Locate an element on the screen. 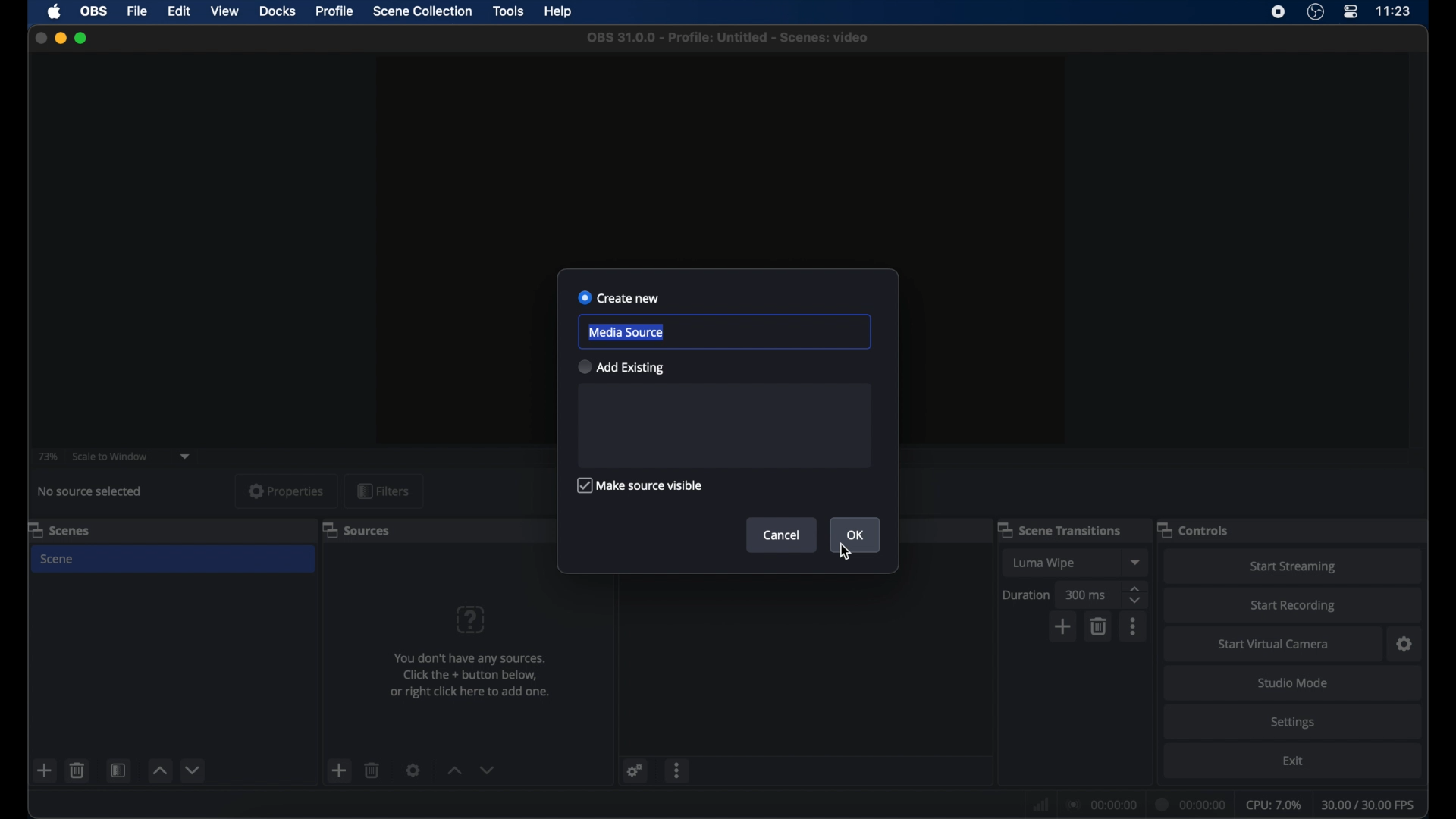  increment is located at coordinates (454, 771).